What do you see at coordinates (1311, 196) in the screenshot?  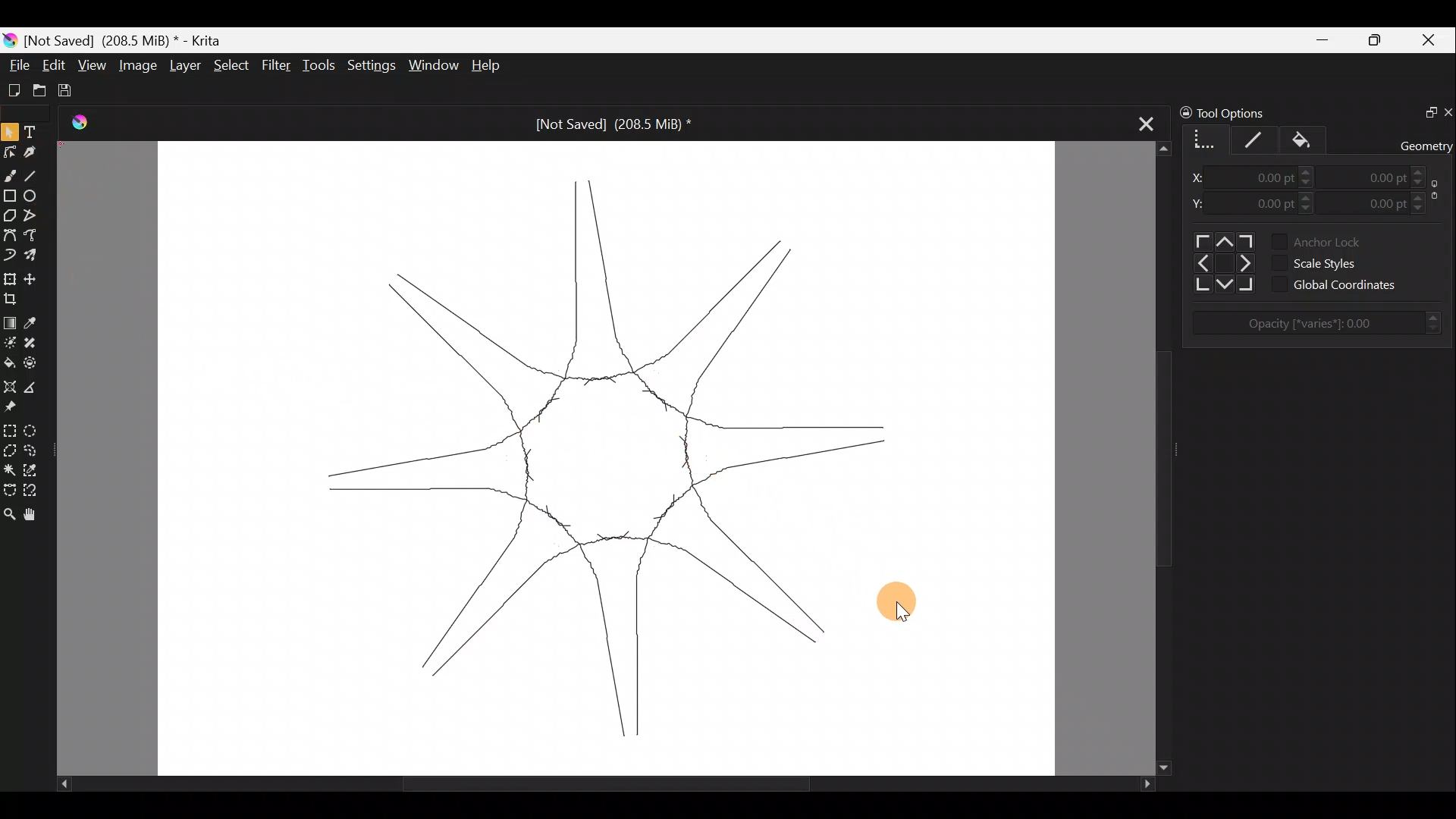 I see `Increase` at bounding box center [1311, 196].